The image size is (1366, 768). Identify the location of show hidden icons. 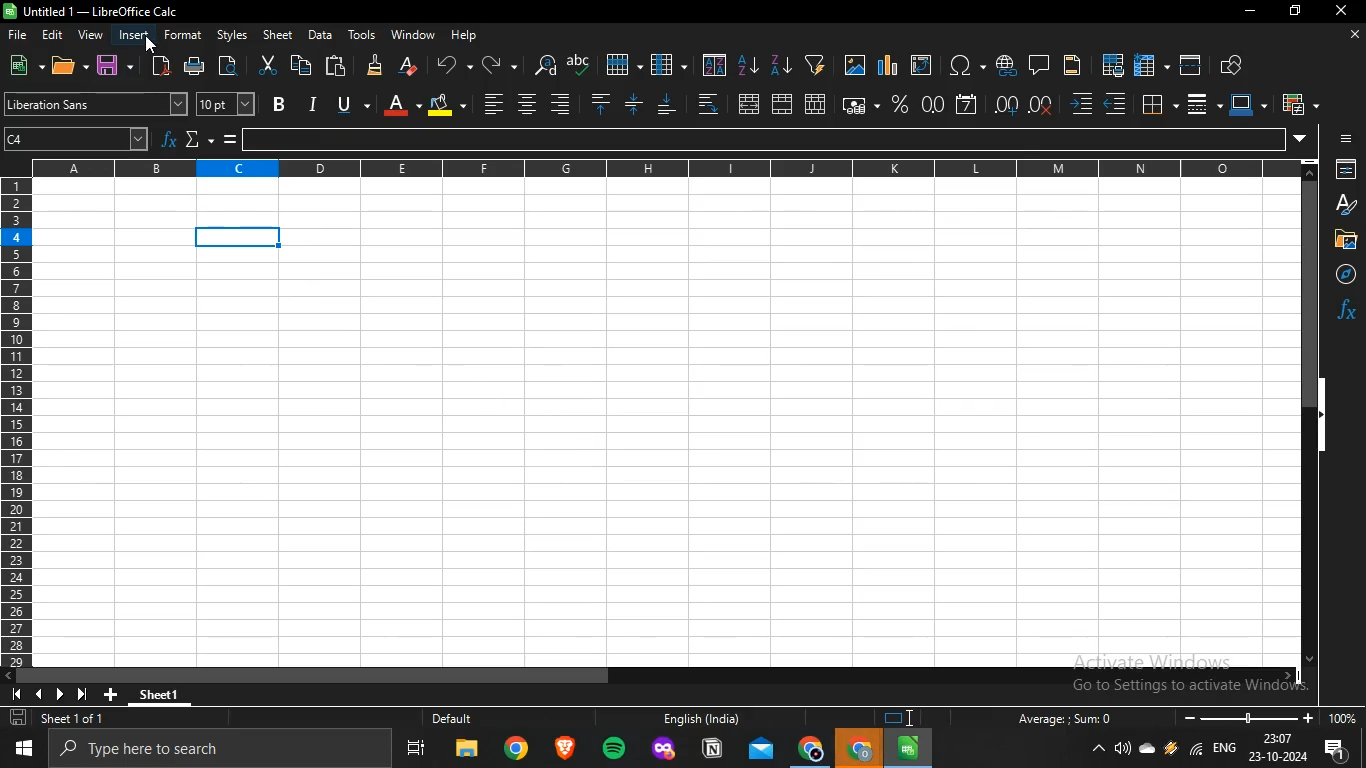
(1099, 750).